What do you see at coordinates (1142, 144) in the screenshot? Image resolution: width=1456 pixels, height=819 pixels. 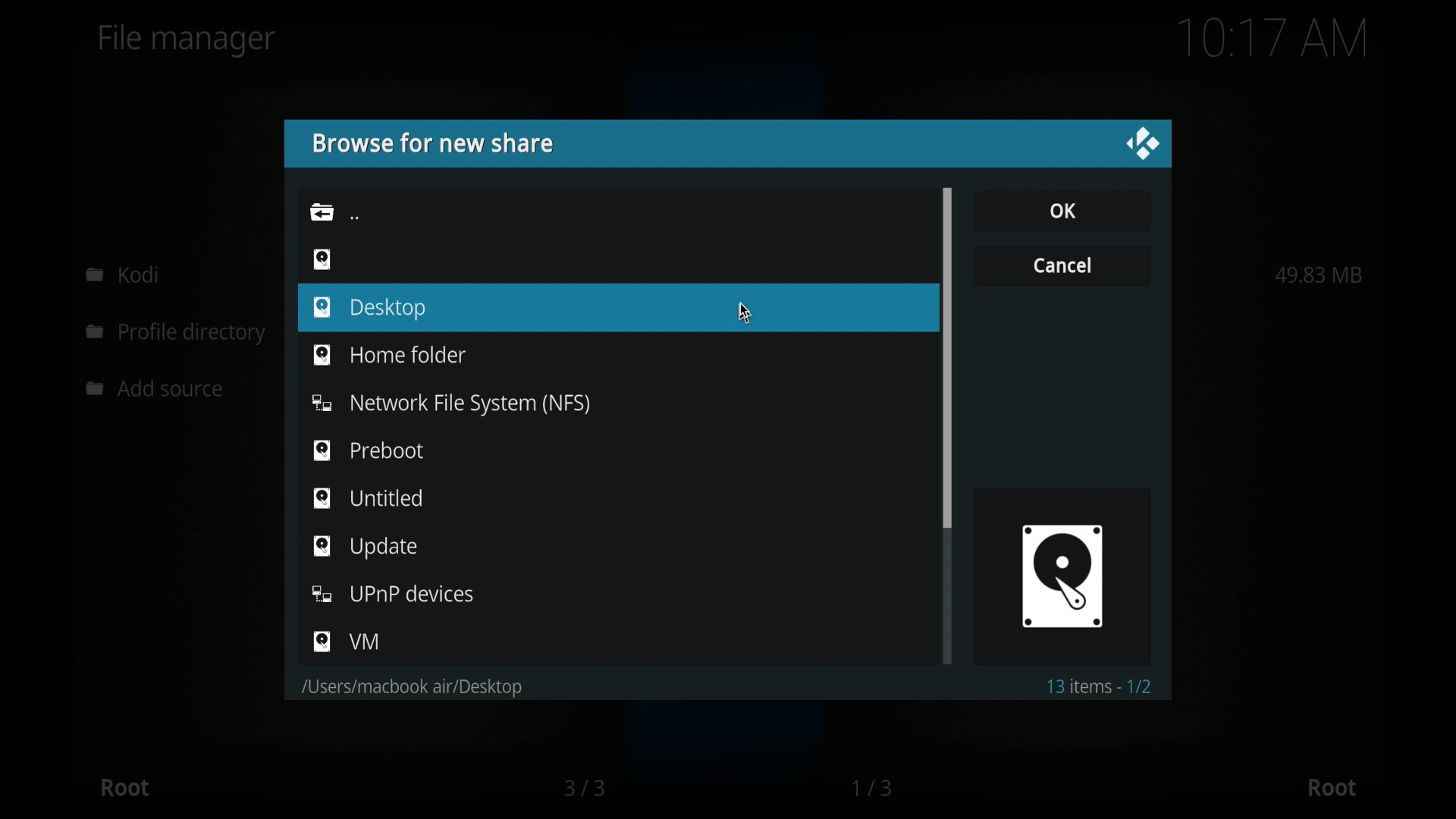 I see `close` at bounding box center [1142, 144].